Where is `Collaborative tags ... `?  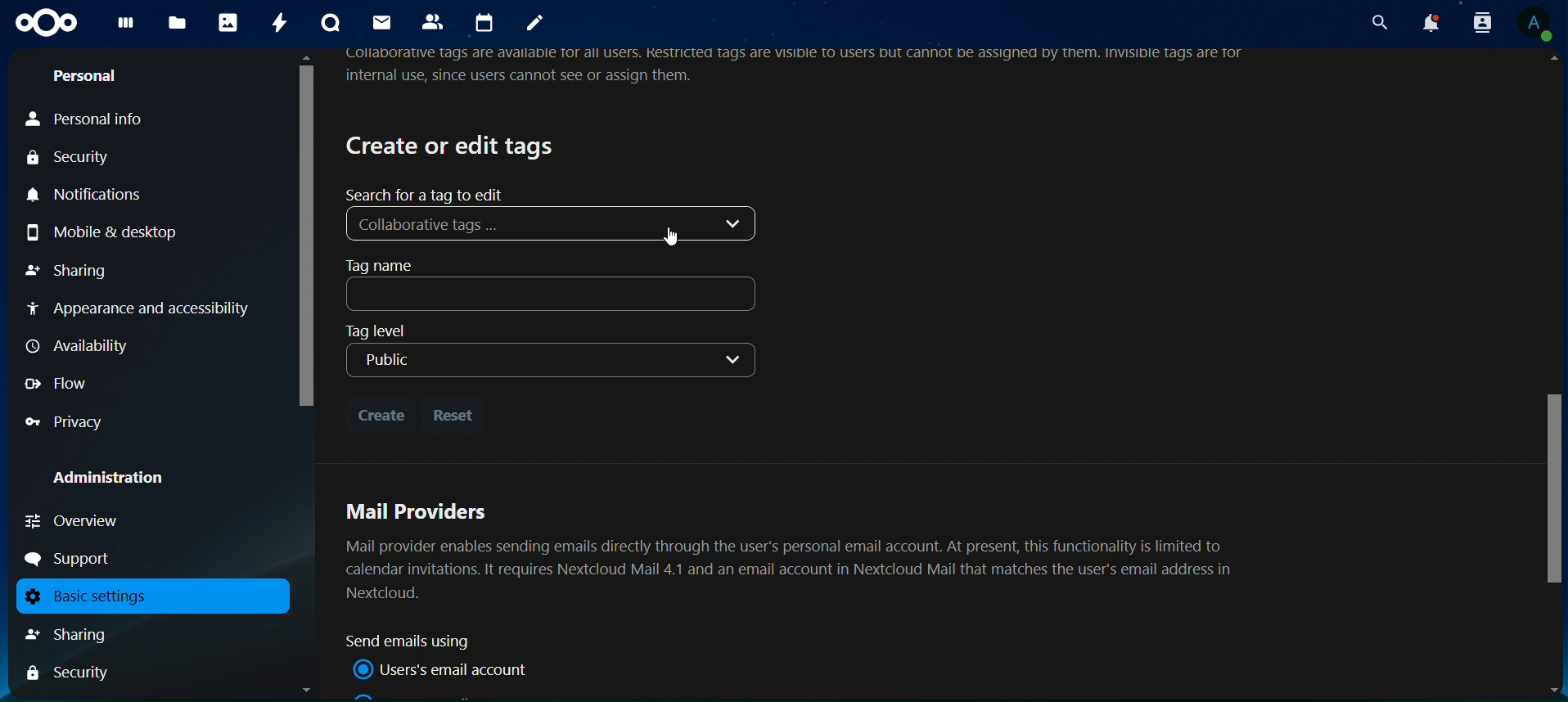
Collaborative tags ...  is located at coordinates (556, 223).